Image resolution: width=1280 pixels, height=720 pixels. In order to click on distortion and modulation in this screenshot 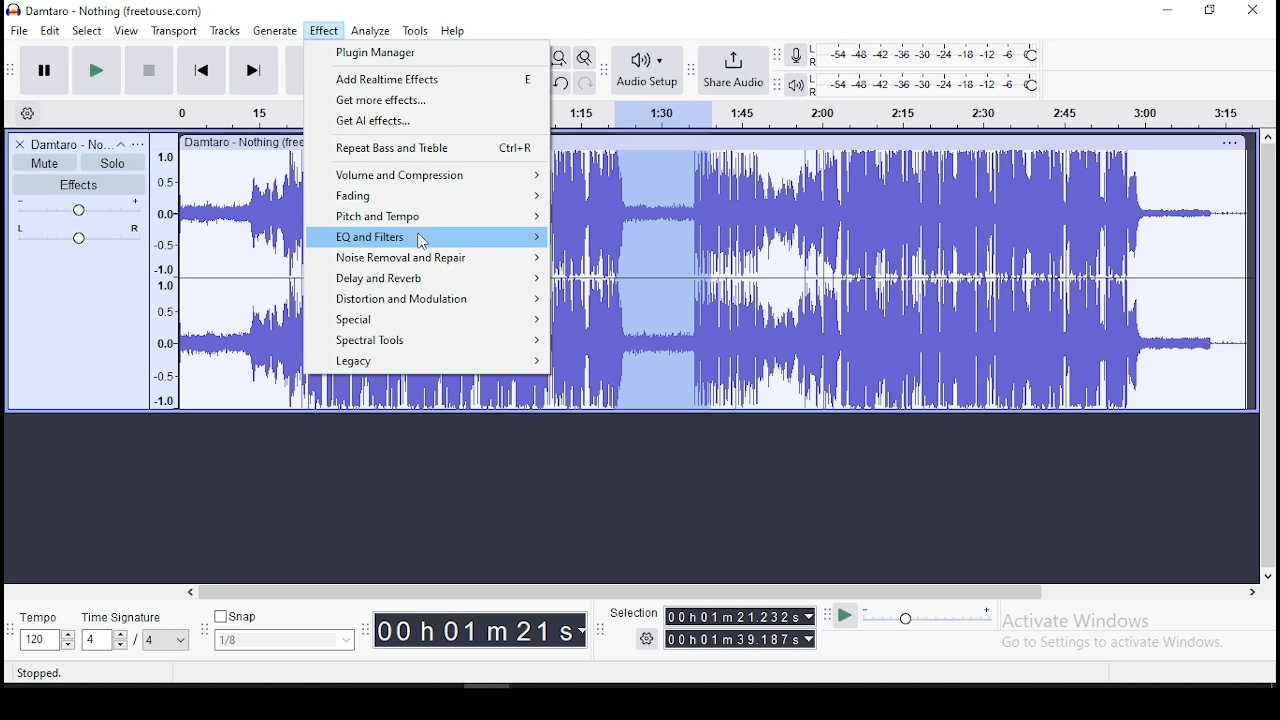, I will do `click(426, 297)`.